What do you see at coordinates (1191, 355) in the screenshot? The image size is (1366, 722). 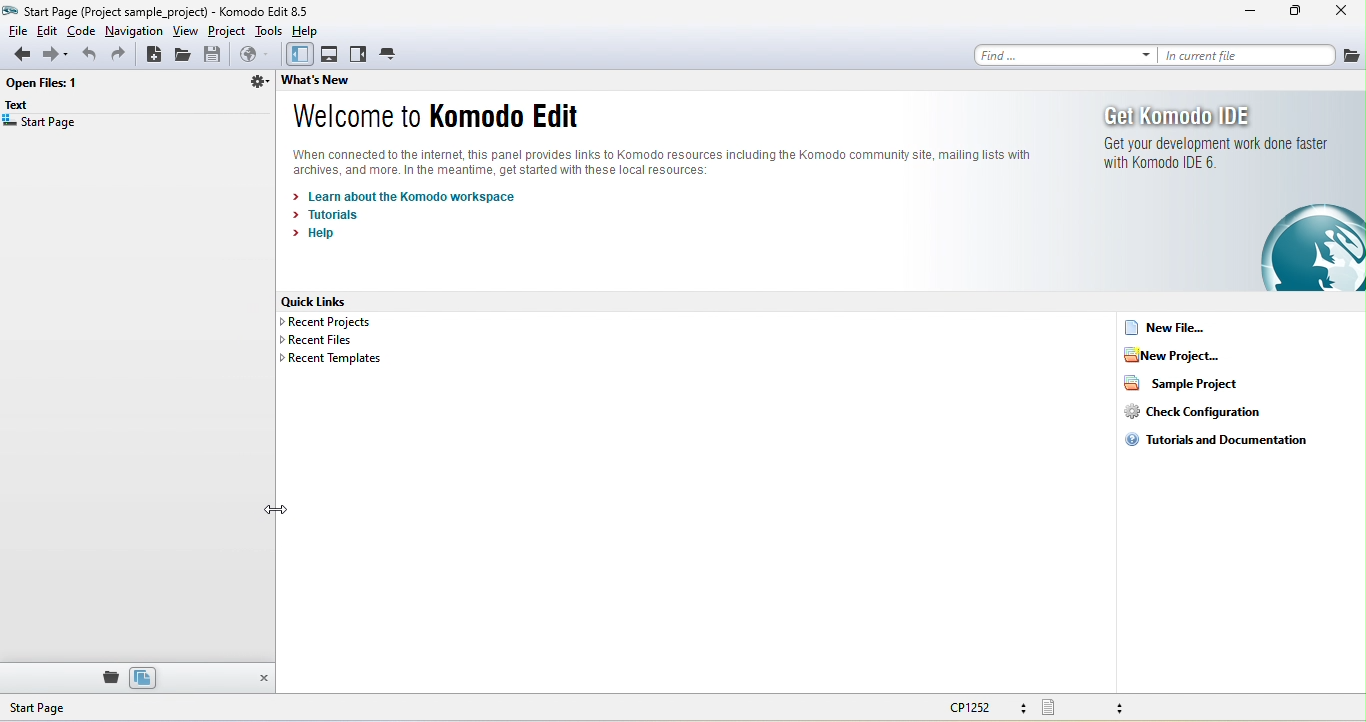 I see `new project` at bounding box center [1191, 355].